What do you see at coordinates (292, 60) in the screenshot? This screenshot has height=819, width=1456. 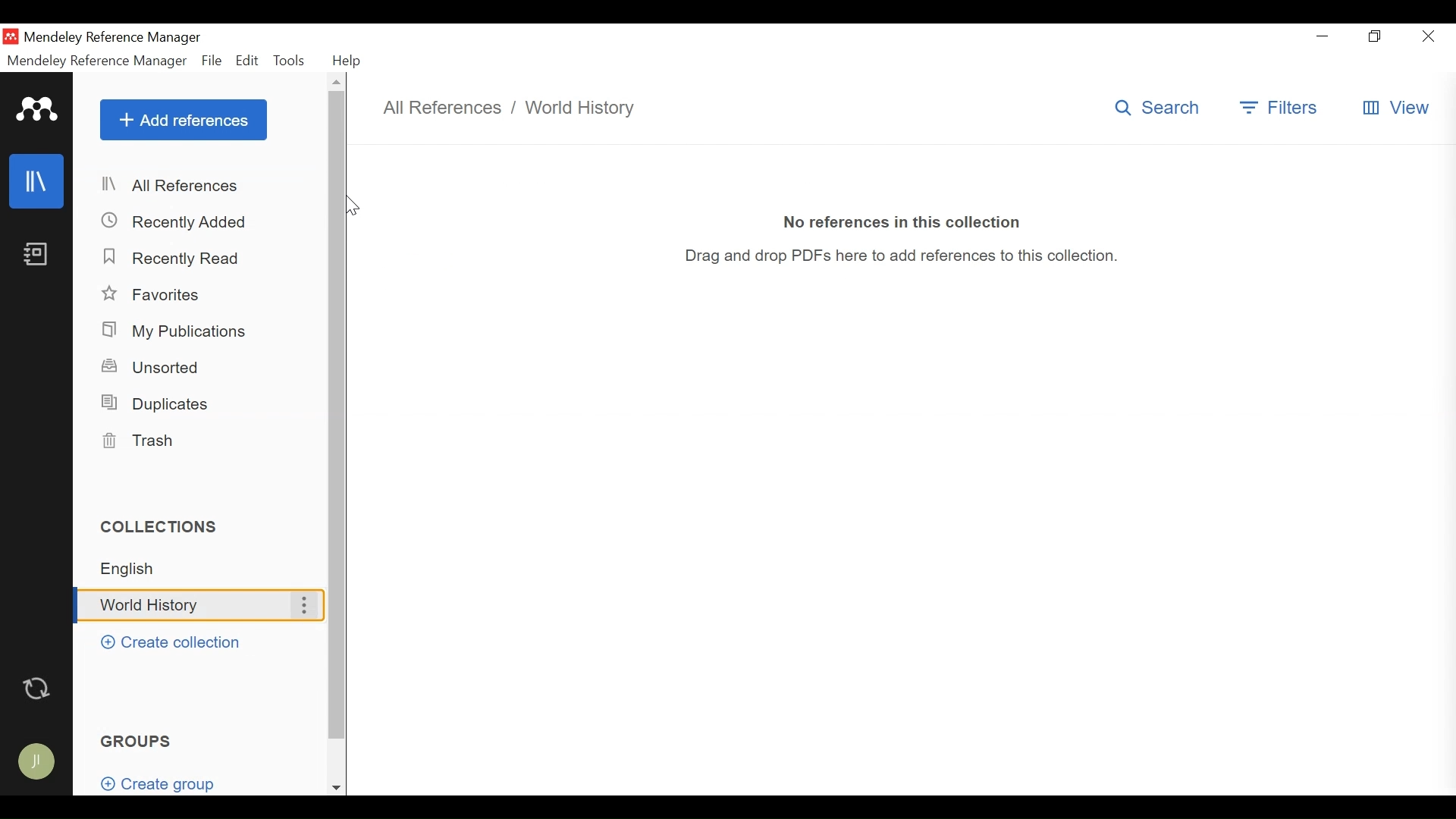 I see `Tools` at bounding box center [292, 60].